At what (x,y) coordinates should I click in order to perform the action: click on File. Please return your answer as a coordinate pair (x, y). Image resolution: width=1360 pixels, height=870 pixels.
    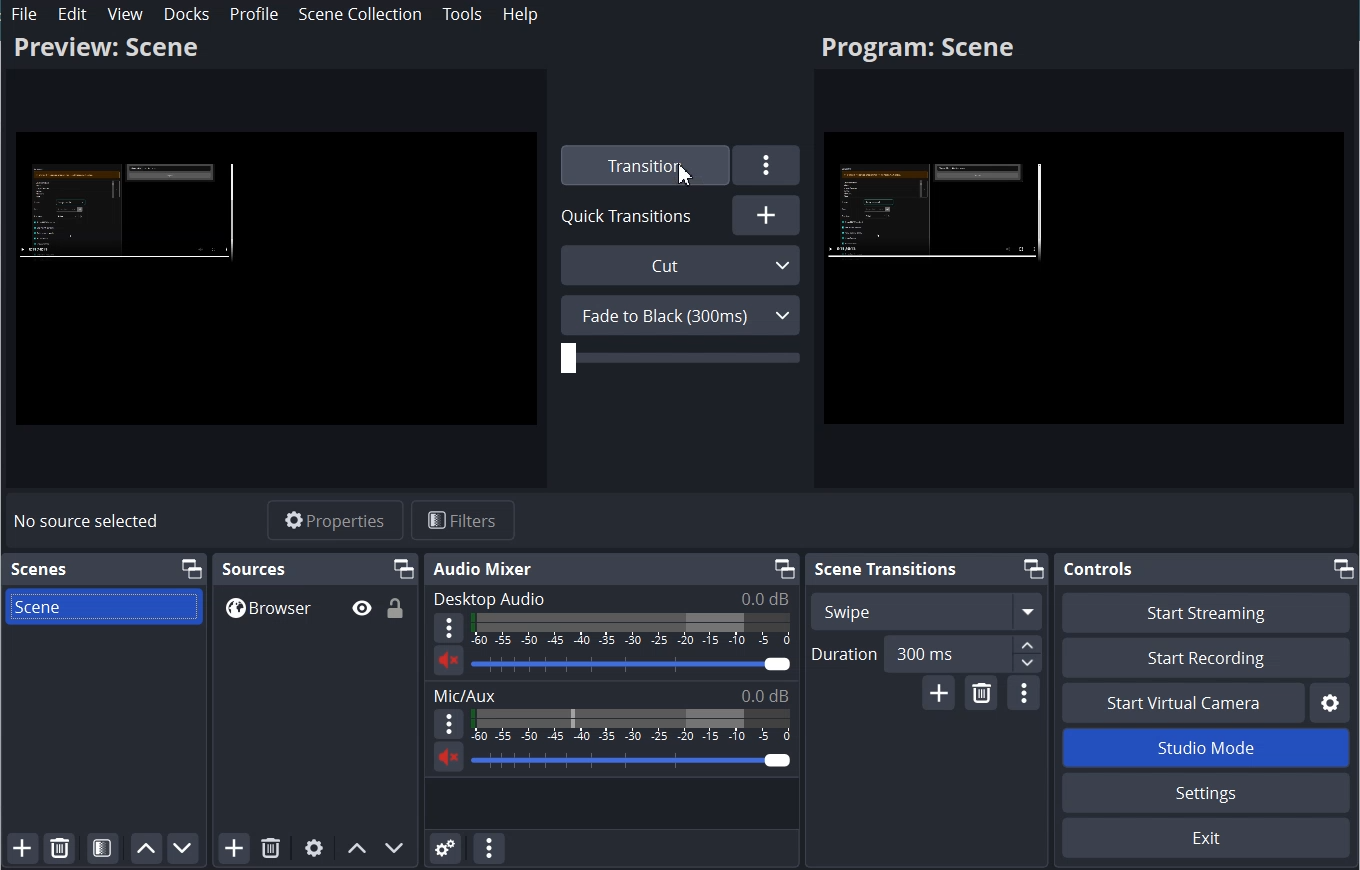
    Looking at the image, I should click on (25, 14).